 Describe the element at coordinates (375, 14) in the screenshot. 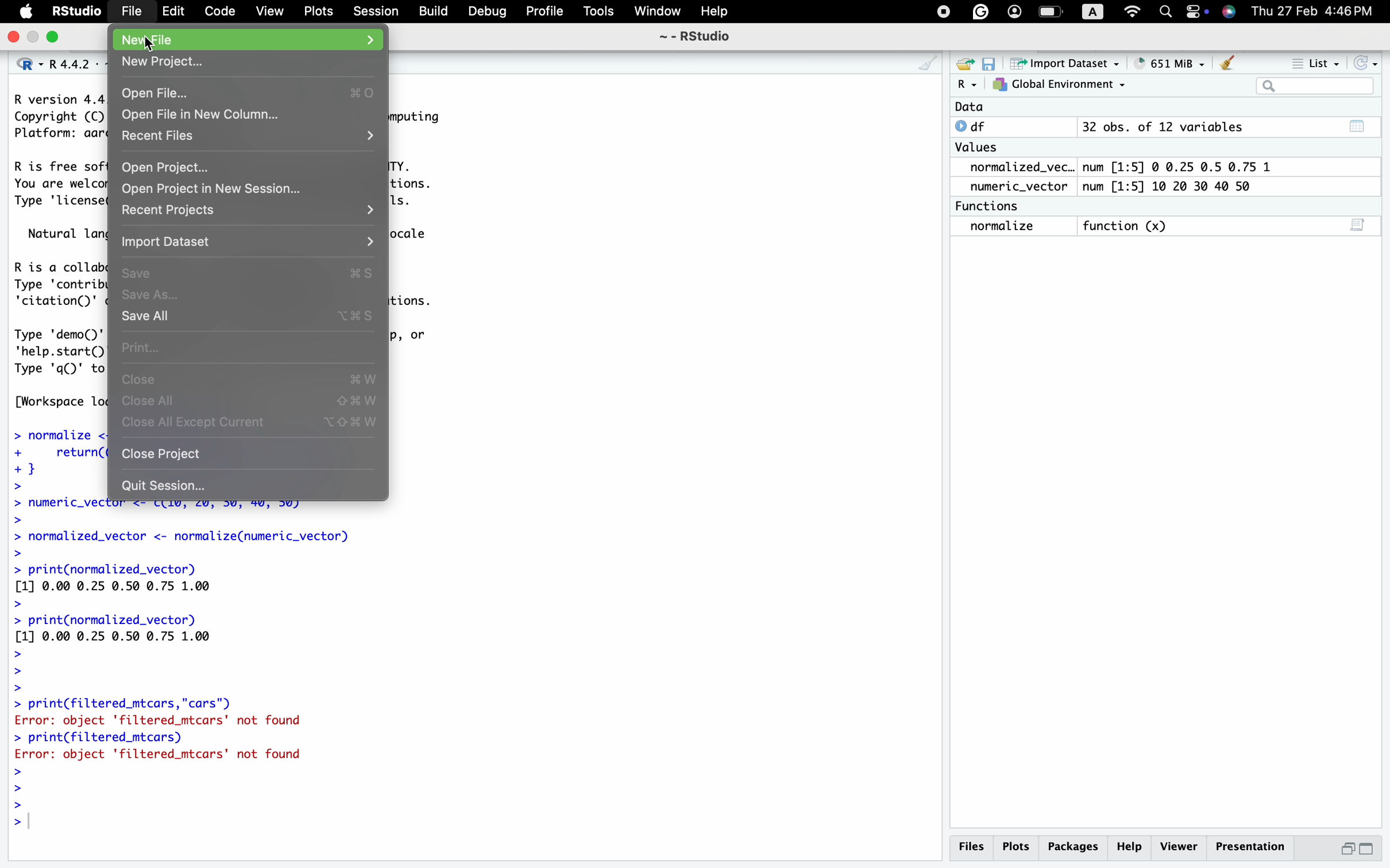

I see `Session` at that location.